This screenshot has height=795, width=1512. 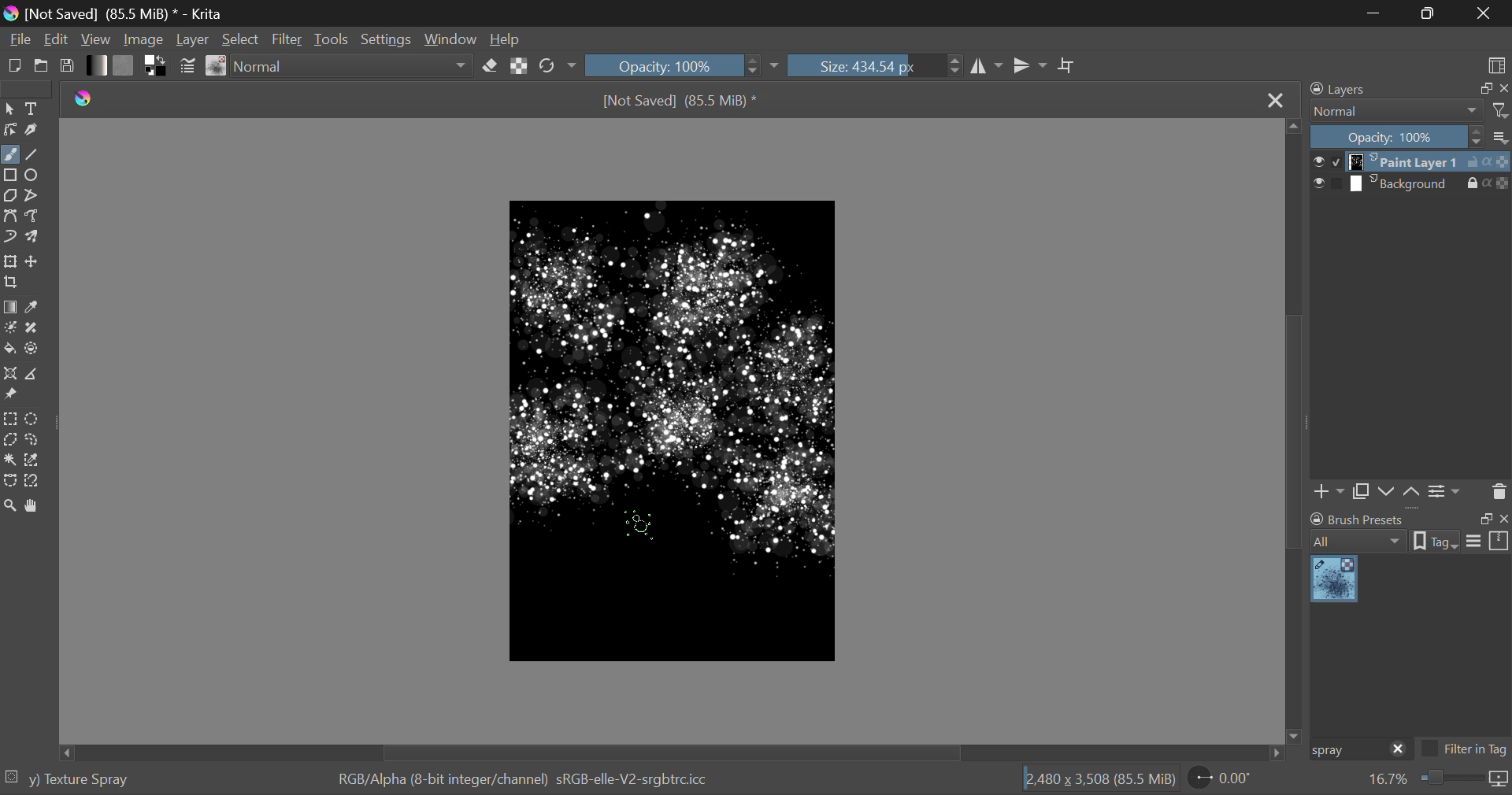 What do you see at coordinates (520, 65) in the screenshot?
I see `Lock Alpha` at bounding box center [520, 65].